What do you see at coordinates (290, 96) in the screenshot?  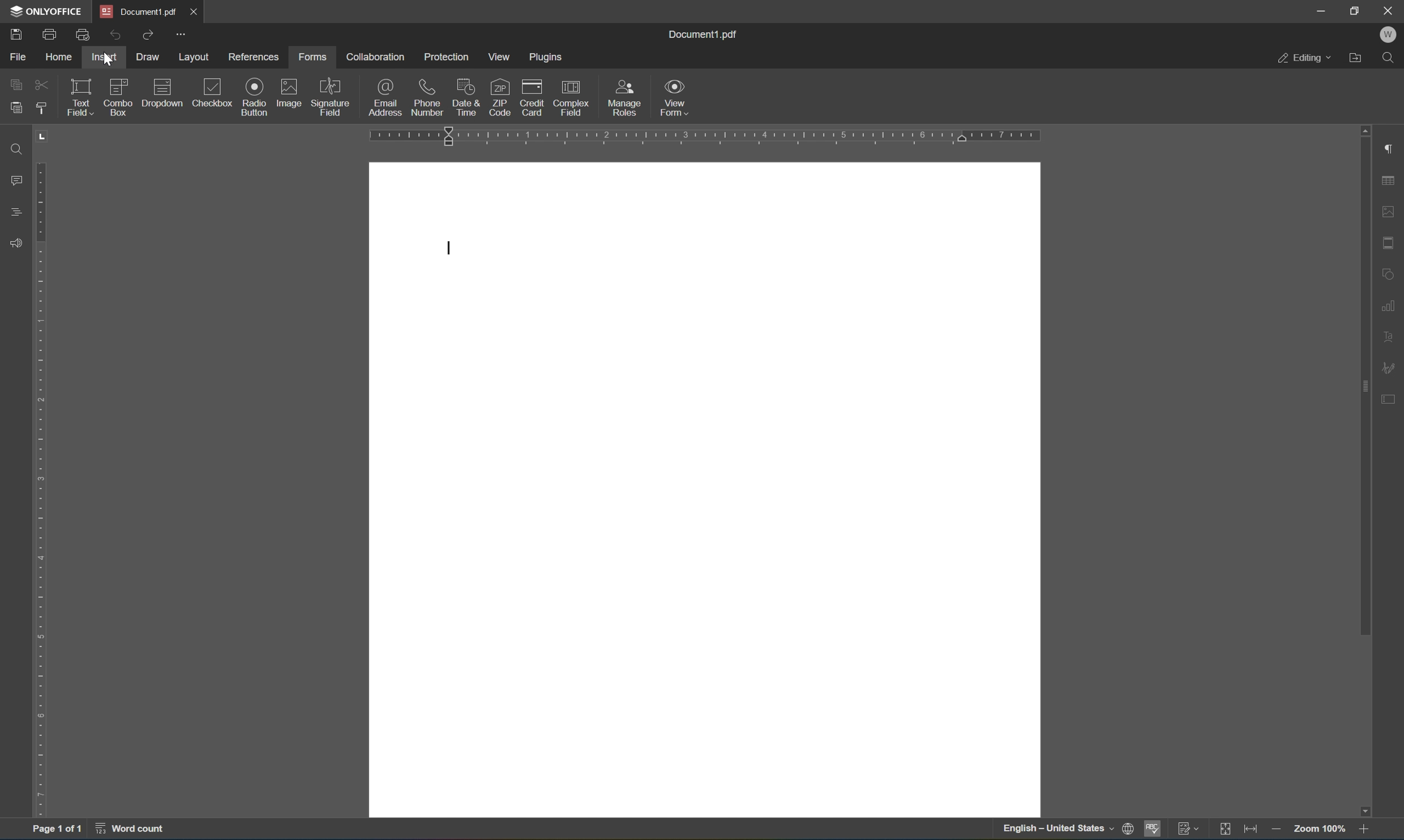 I see `image` at bounding box center [290, 96].